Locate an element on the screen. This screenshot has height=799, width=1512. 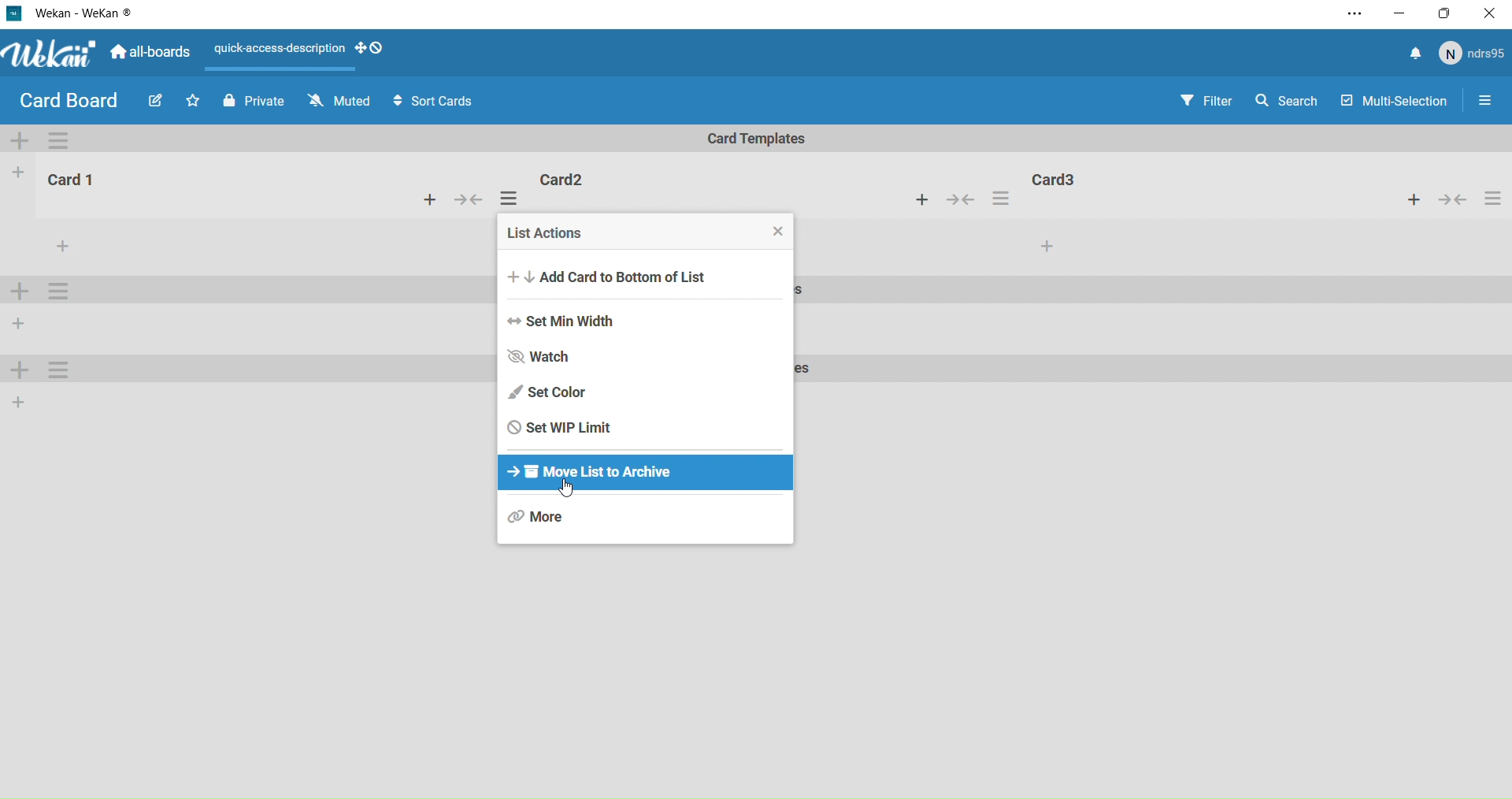
Card is located at coordinates (1107, 181).